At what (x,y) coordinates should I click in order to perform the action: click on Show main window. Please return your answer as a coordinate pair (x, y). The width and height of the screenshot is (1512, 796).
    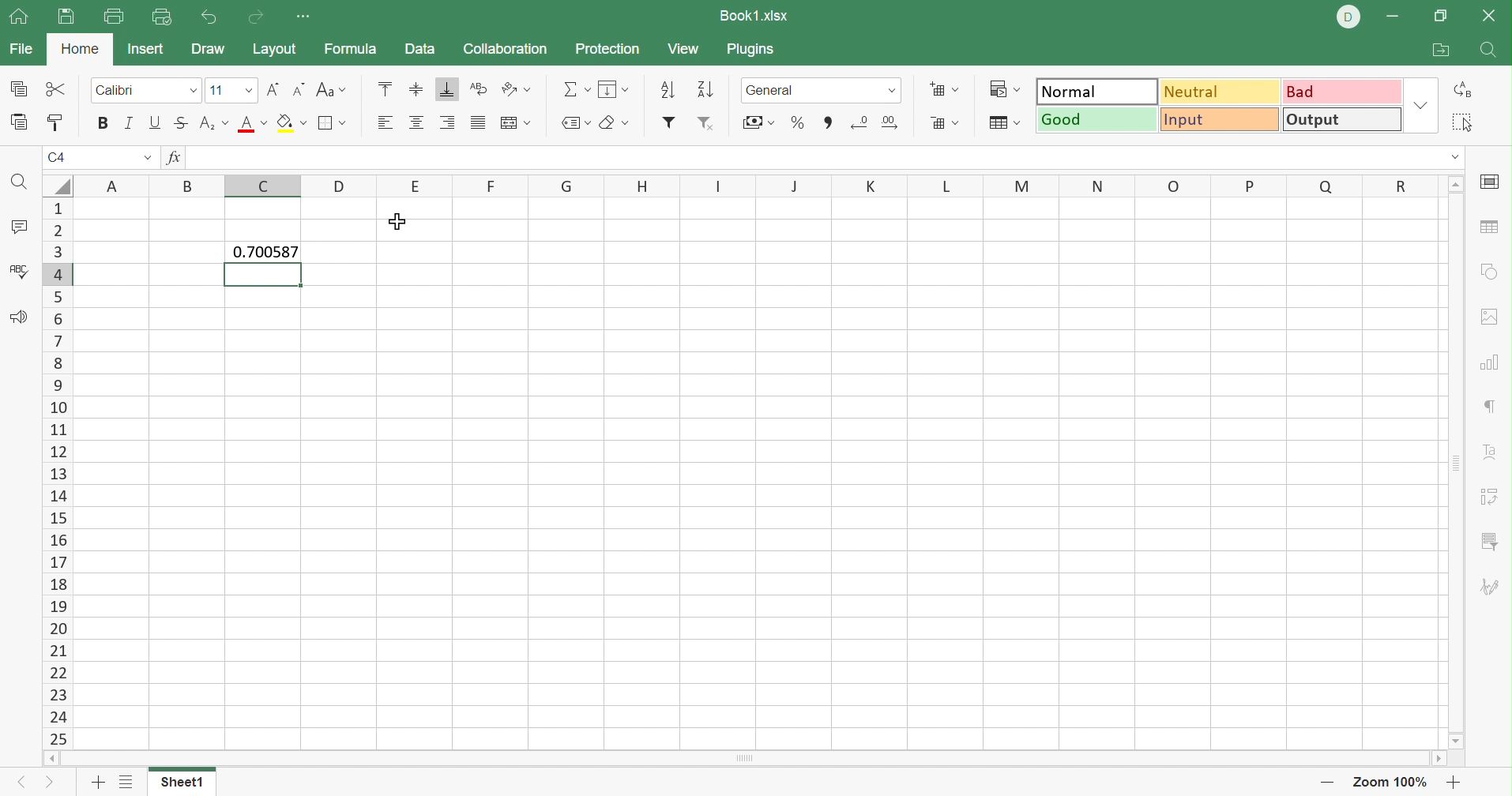
    Looking at the image, I should click on (18, 15).